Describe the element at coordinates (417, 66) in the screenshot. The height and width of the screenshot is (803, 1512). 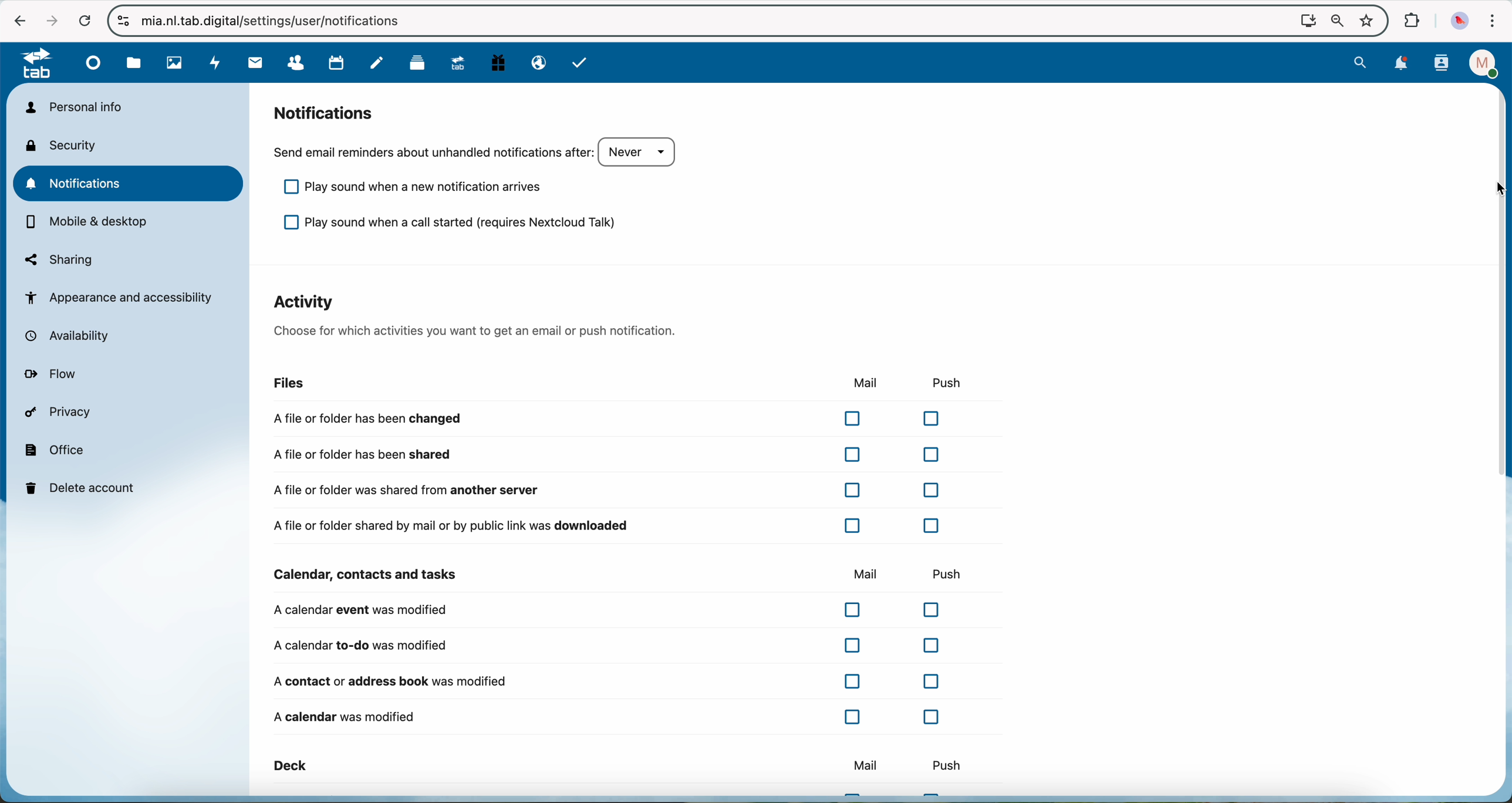
I see `deck` at that location.